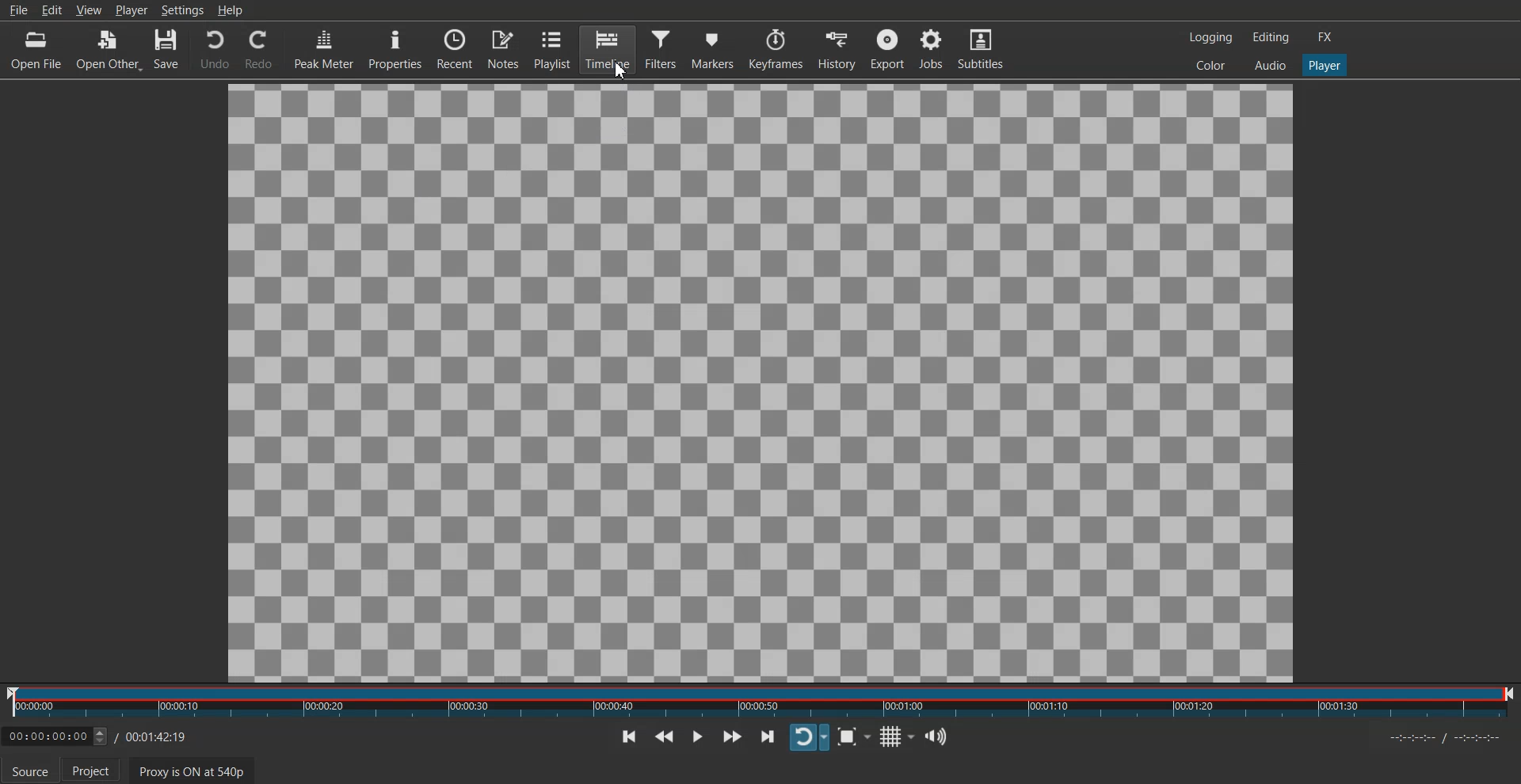 Image resolution: width=1521 pixels, height=784 pixels. I want to click on Toggle player lopping, so click(809, 739).